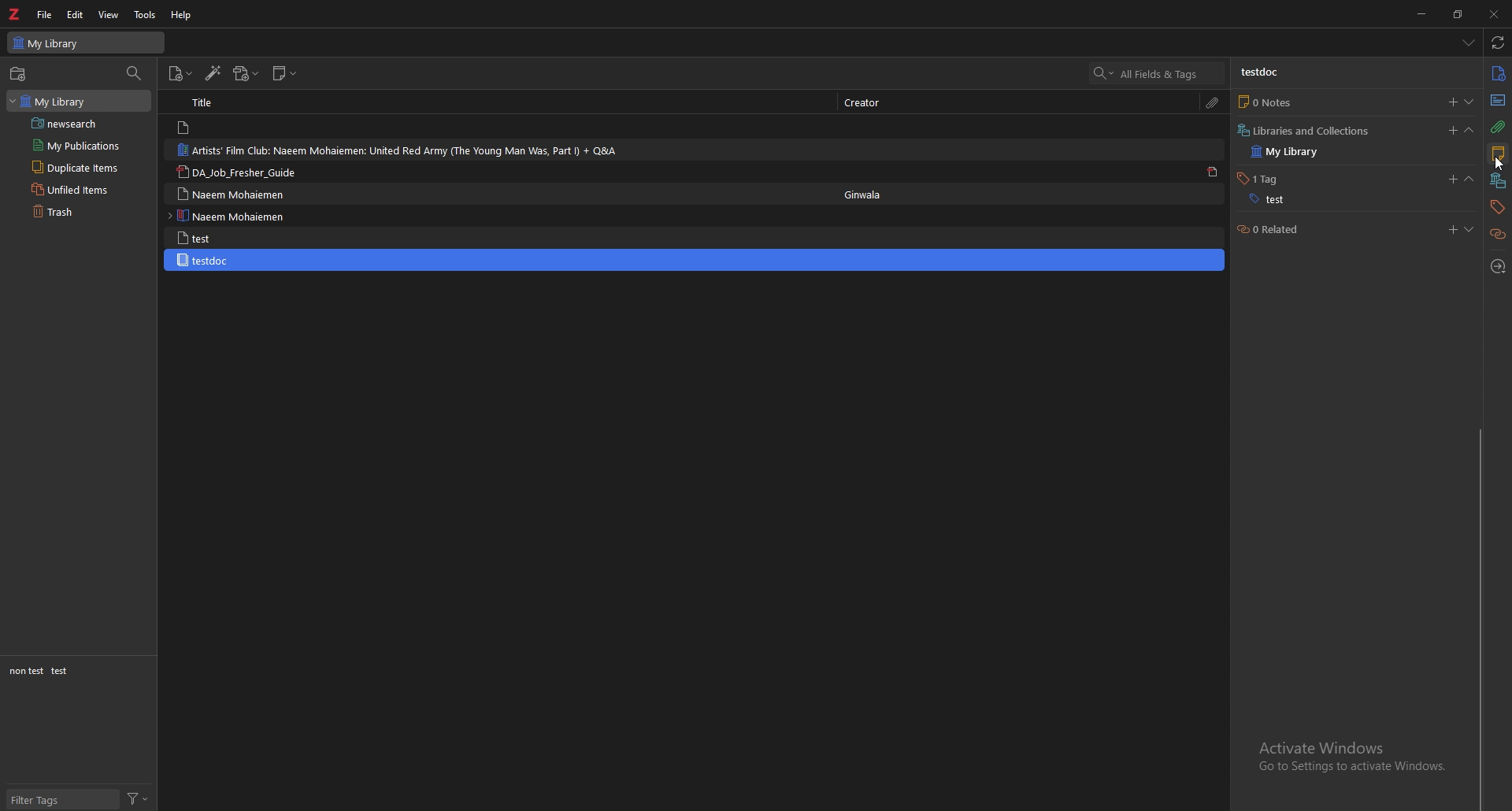 The width and height of the screenshot is (1512, 811). Describe the element at coordinates (213, 72) in the screenshot. I see `add items by identifier` at that location.